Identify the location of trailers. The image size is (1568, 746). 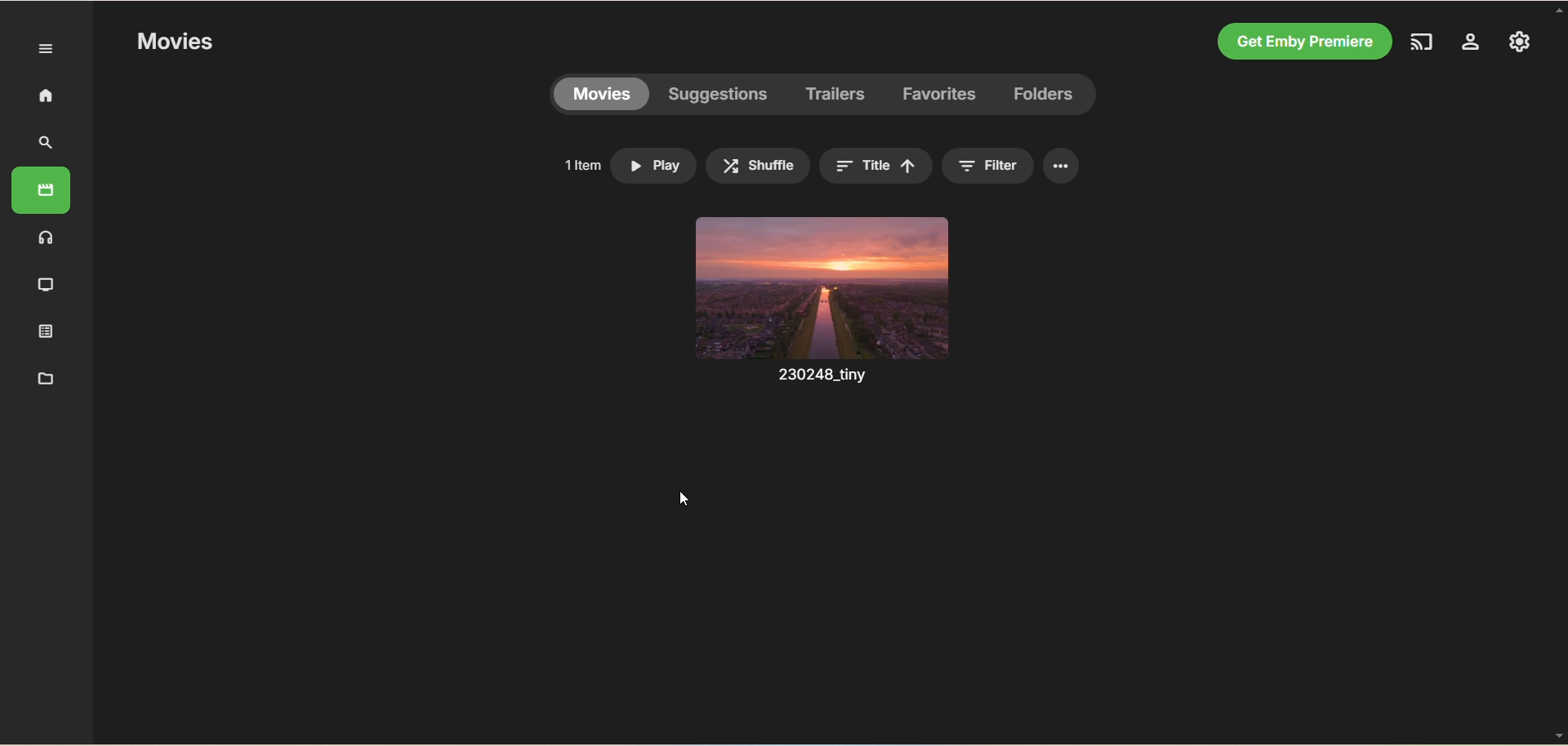
(836, 93).